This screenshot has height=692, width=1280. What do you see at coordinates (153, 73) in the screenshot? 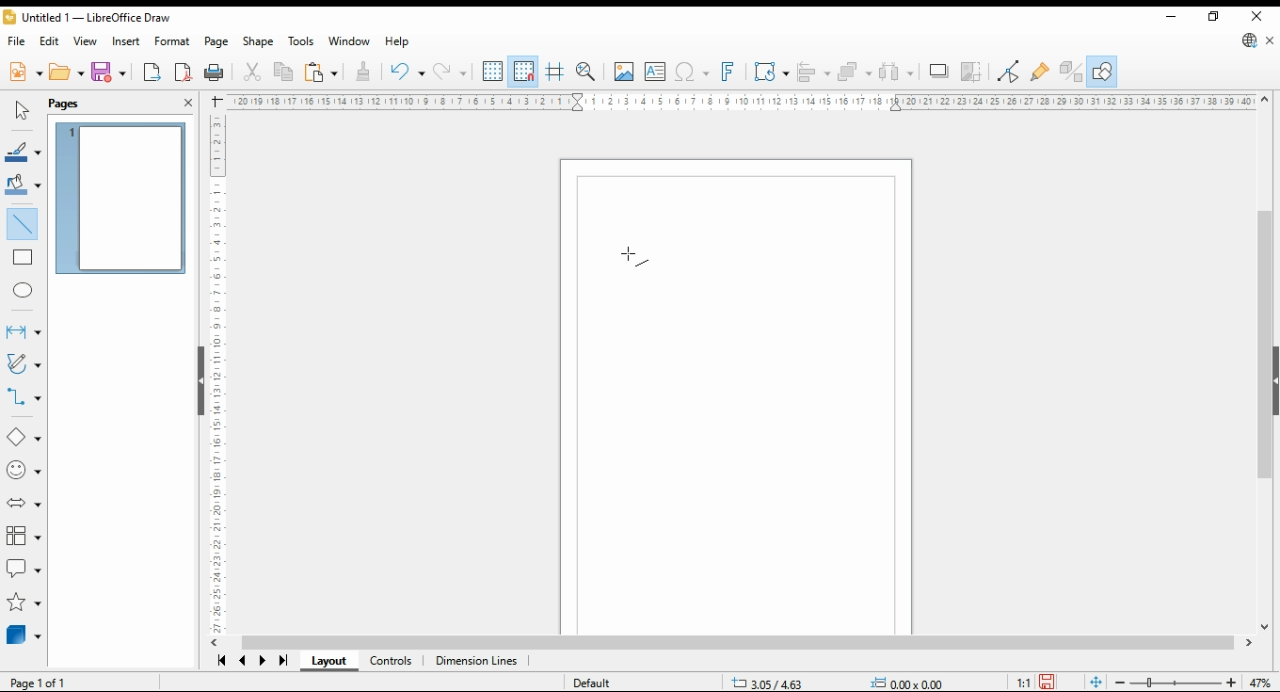
I see `export` at bounding box center [153, 73].